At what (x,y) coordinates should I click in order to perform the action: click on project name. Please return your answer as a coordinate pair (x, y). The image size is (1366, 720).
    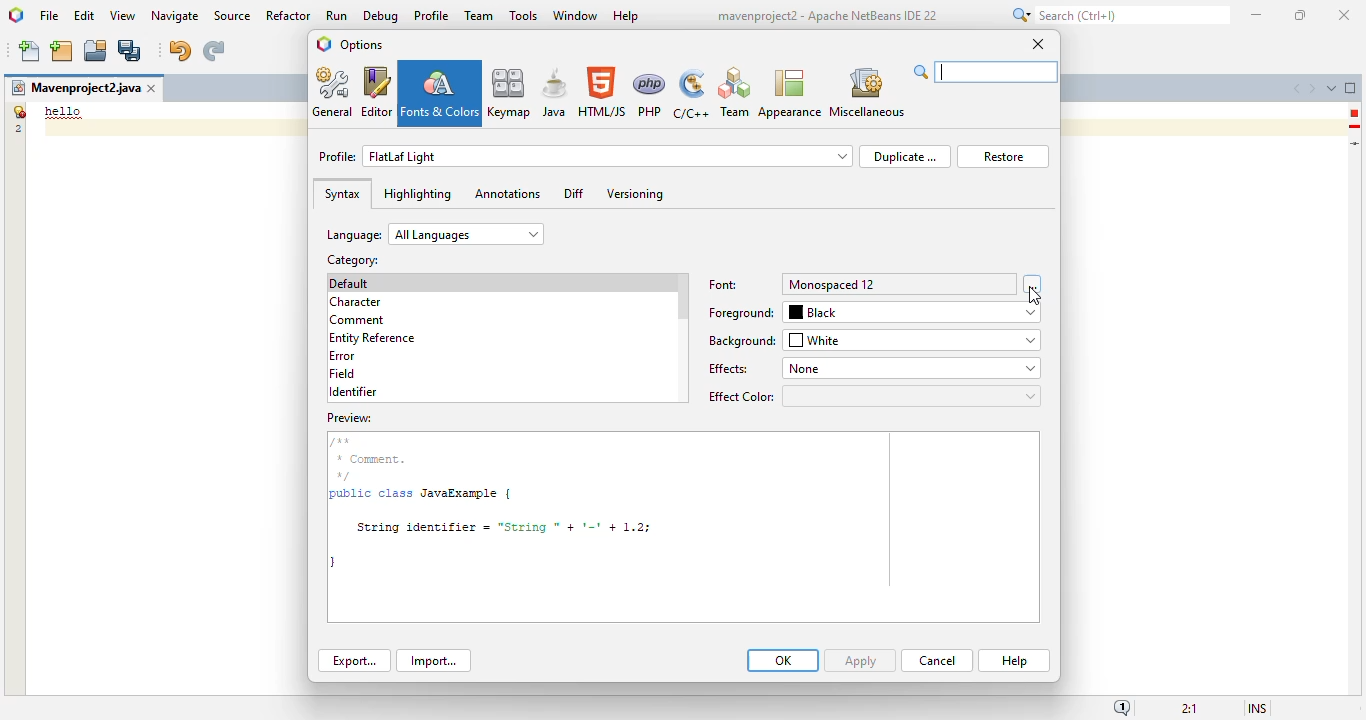
    Looking at the image, I should click on (75, 88).